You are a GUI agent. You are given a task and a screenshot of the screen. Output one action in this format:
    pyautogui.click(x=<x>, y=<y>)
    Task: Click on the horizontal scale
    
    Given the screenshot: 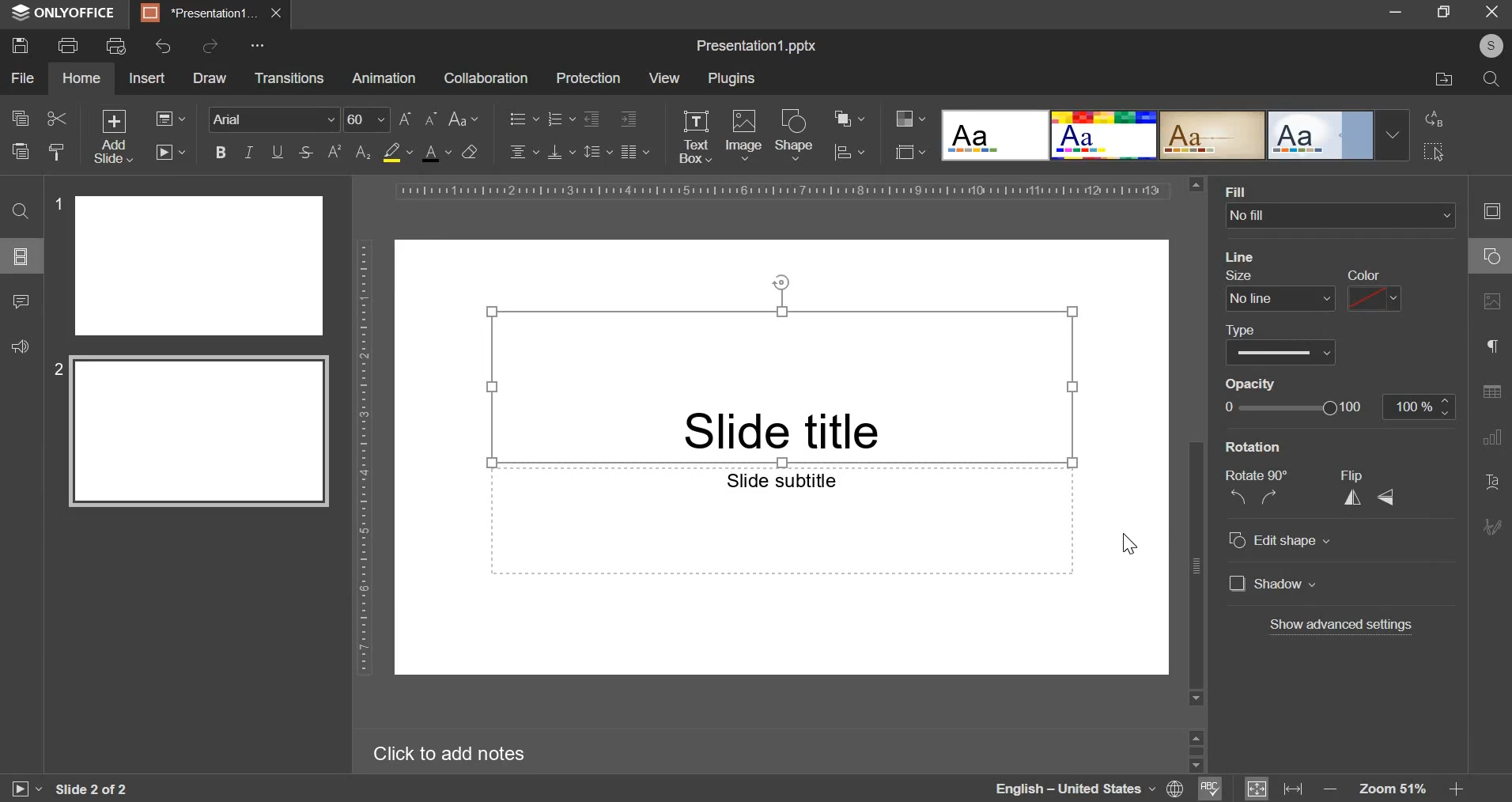 What is the action you would take?
    pyautogui.click(x=781, y=191)
    